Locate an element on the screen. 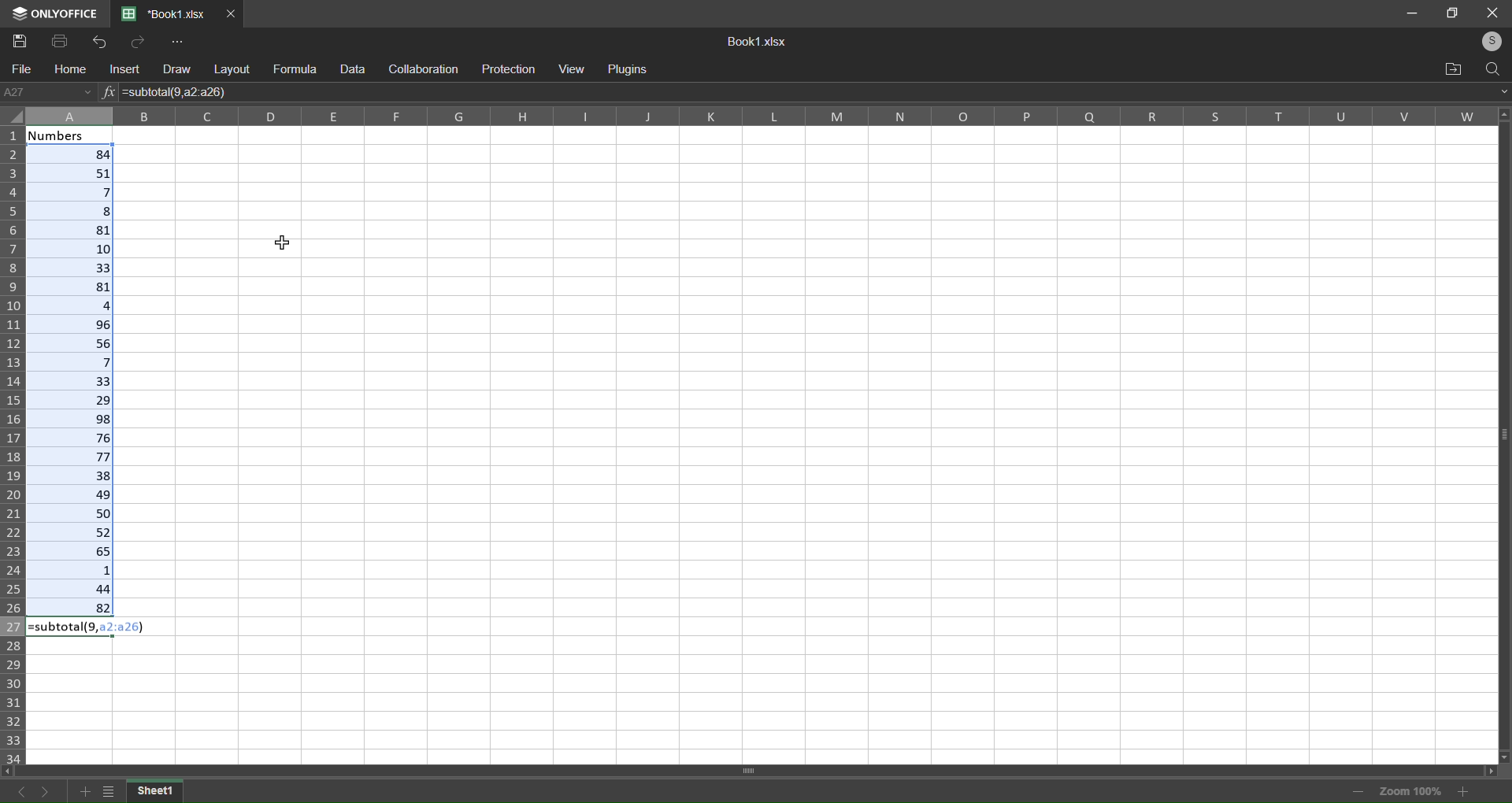  protection is located at coordinates (510, 70).